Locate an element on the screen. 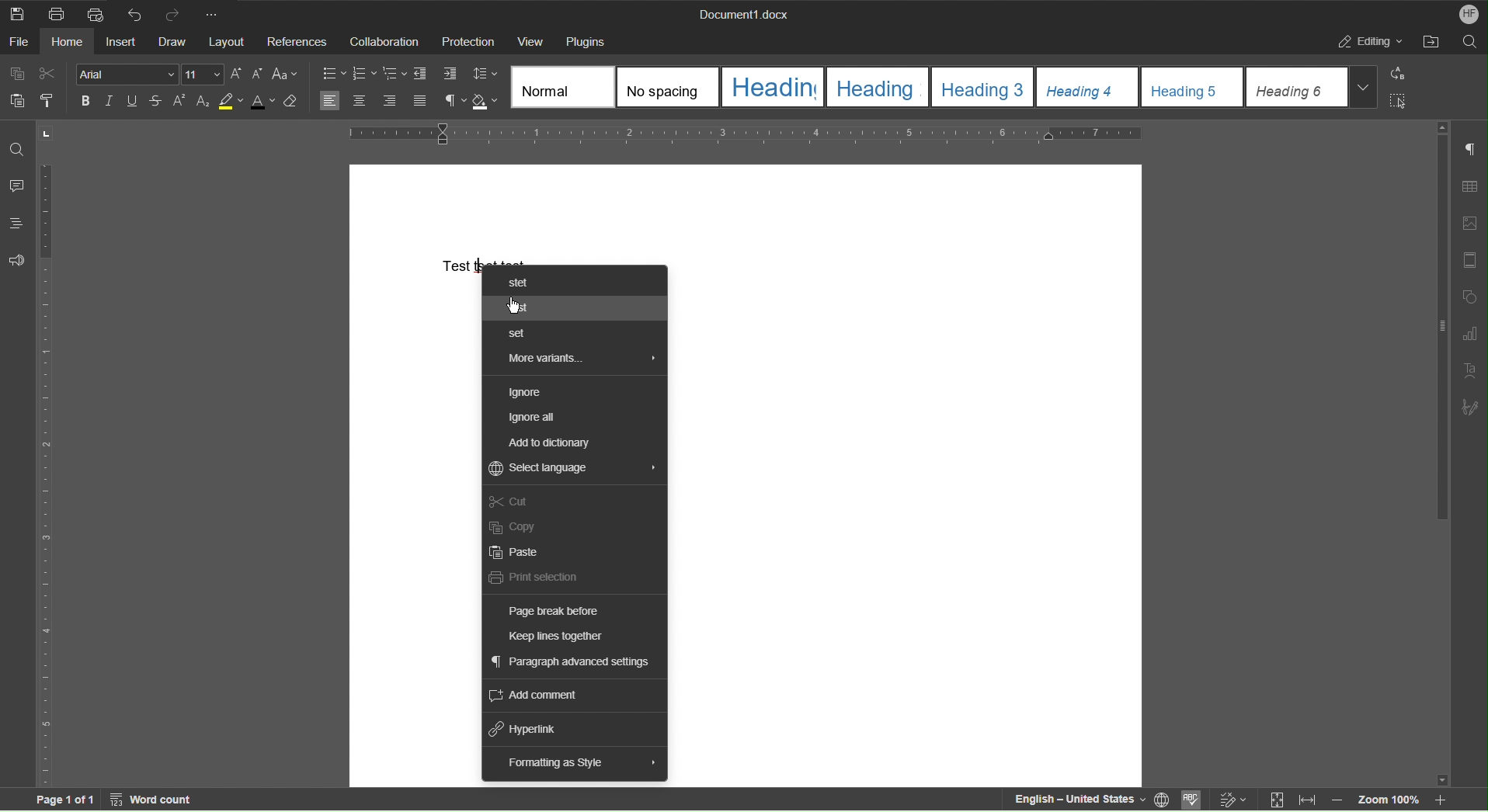 This screenshot has width=1488, height=812. No Spacing is located at coordinates (668, 88).